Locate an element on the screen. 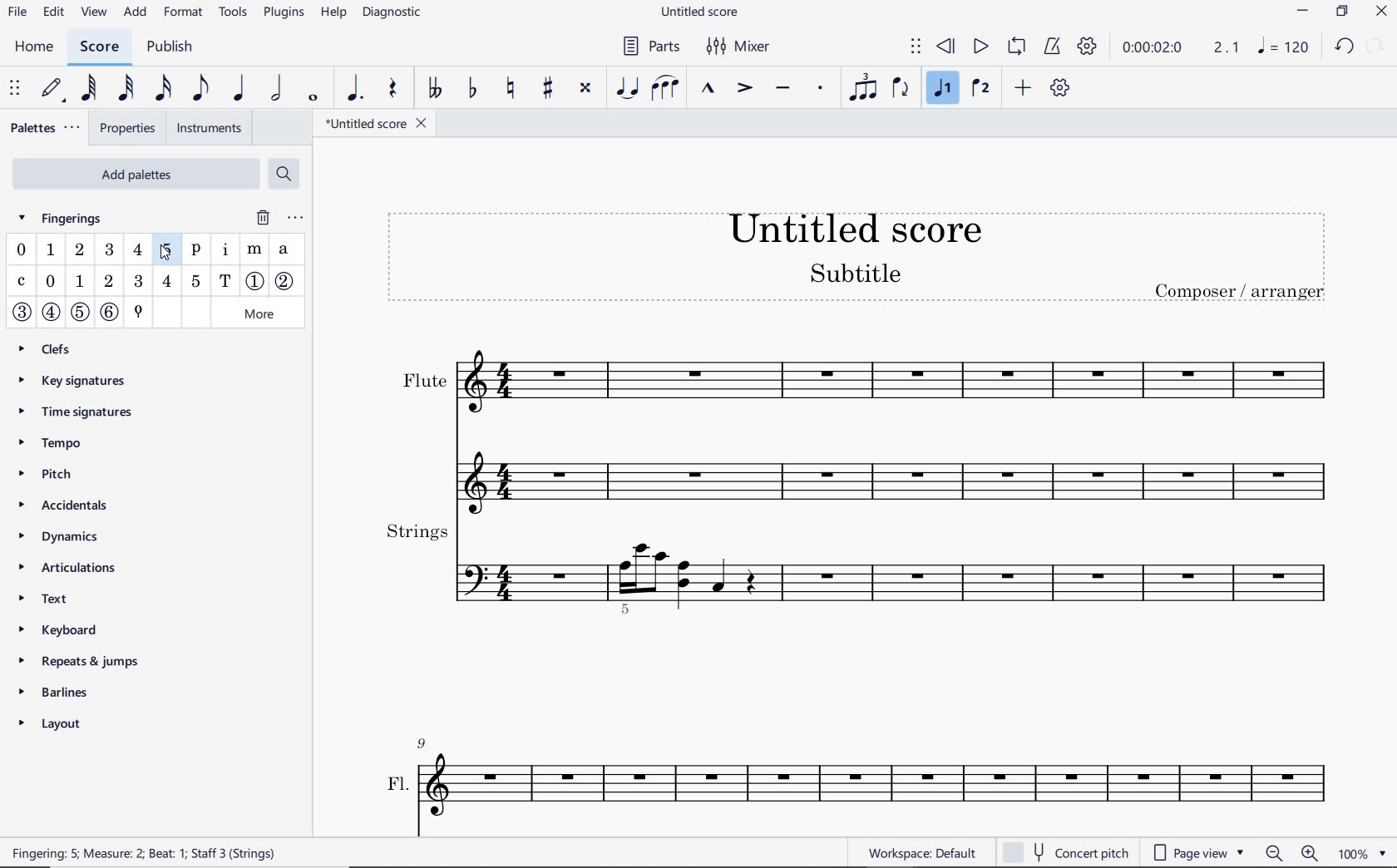 This screenshot has height=868, width=1397. tie is located at coordinates (625, 89).